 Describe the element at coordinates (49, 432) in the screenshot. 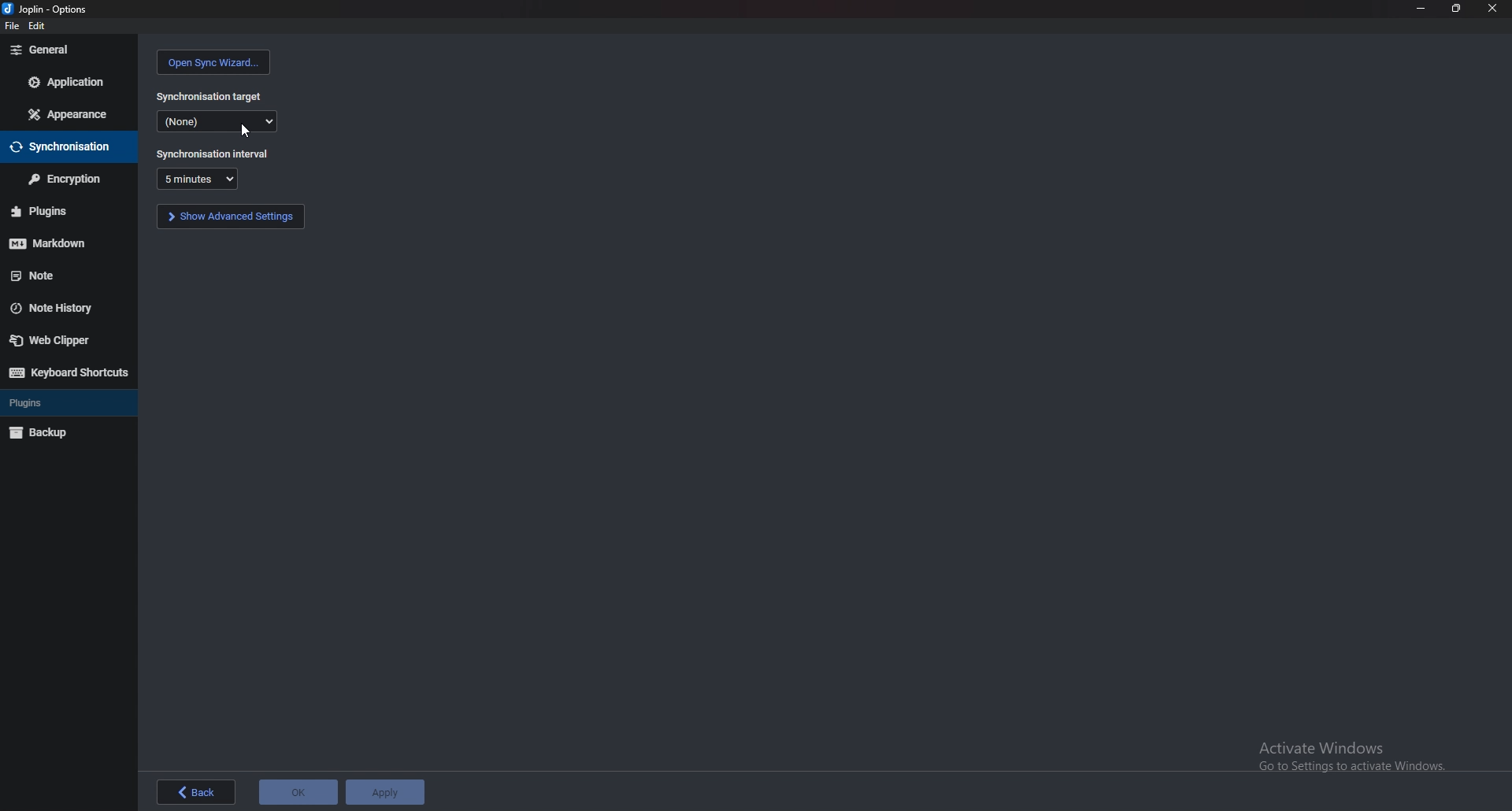

I see `backup` at that location.